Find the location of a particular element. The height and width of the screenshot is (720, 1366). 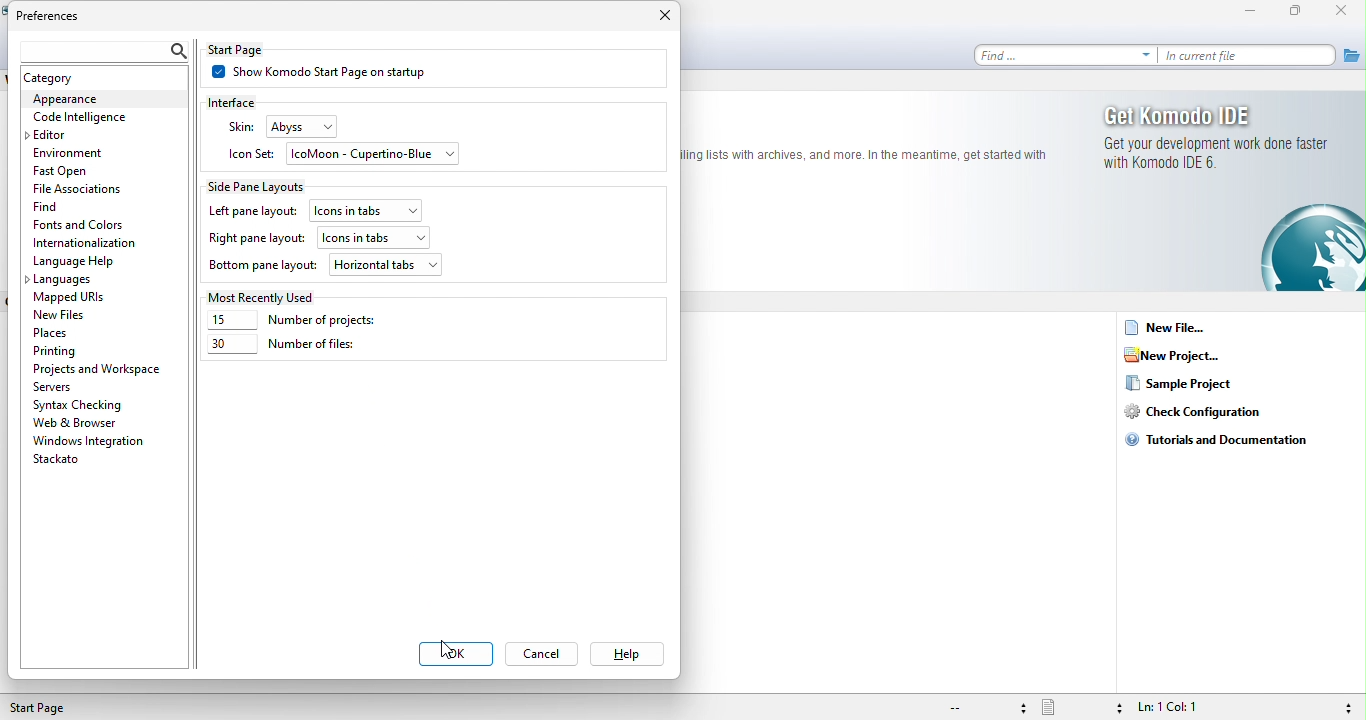

printing is located at coordinates (59, 351).